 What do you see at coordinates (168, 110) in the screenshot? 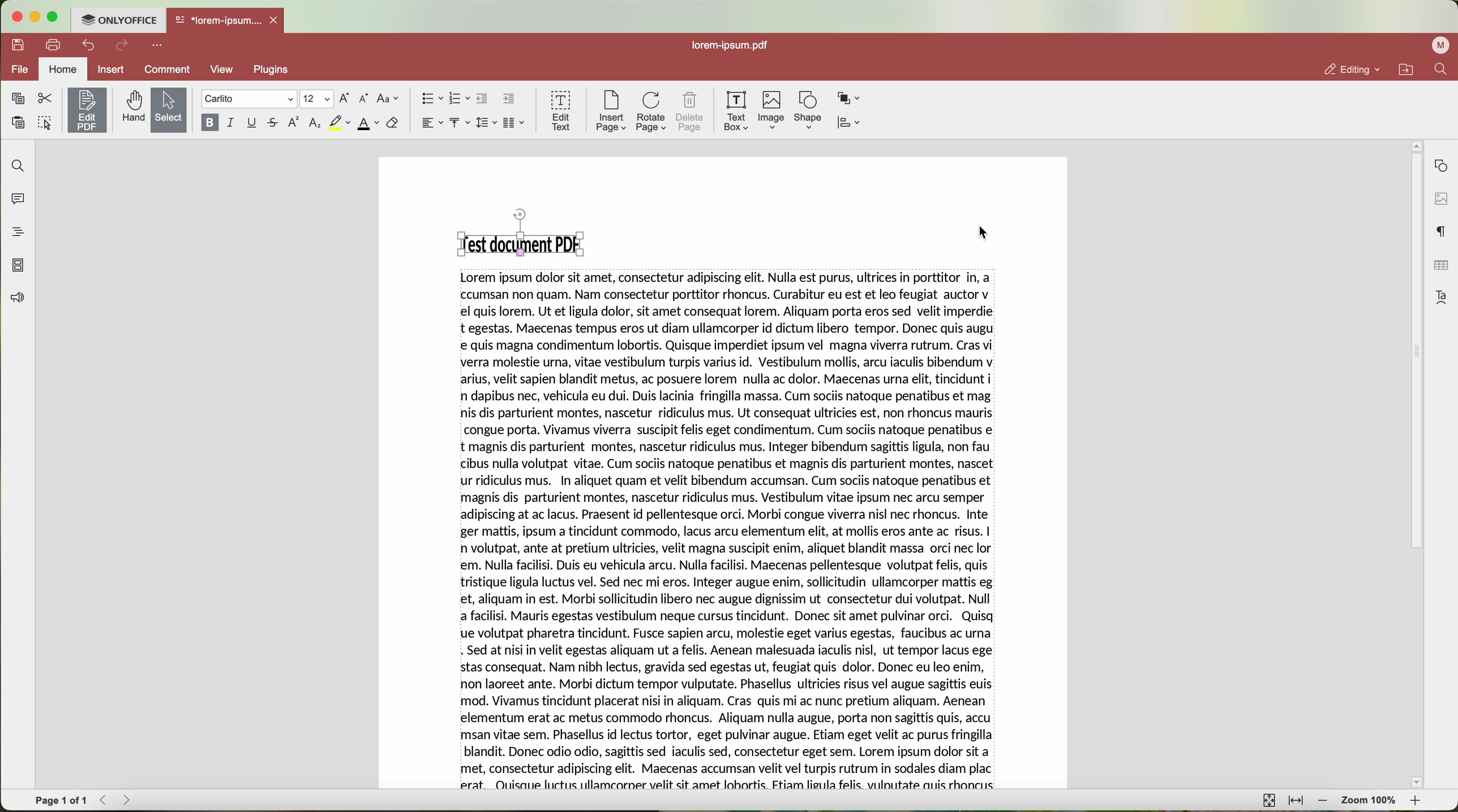
I see `select` at bounding box center [168, 110].